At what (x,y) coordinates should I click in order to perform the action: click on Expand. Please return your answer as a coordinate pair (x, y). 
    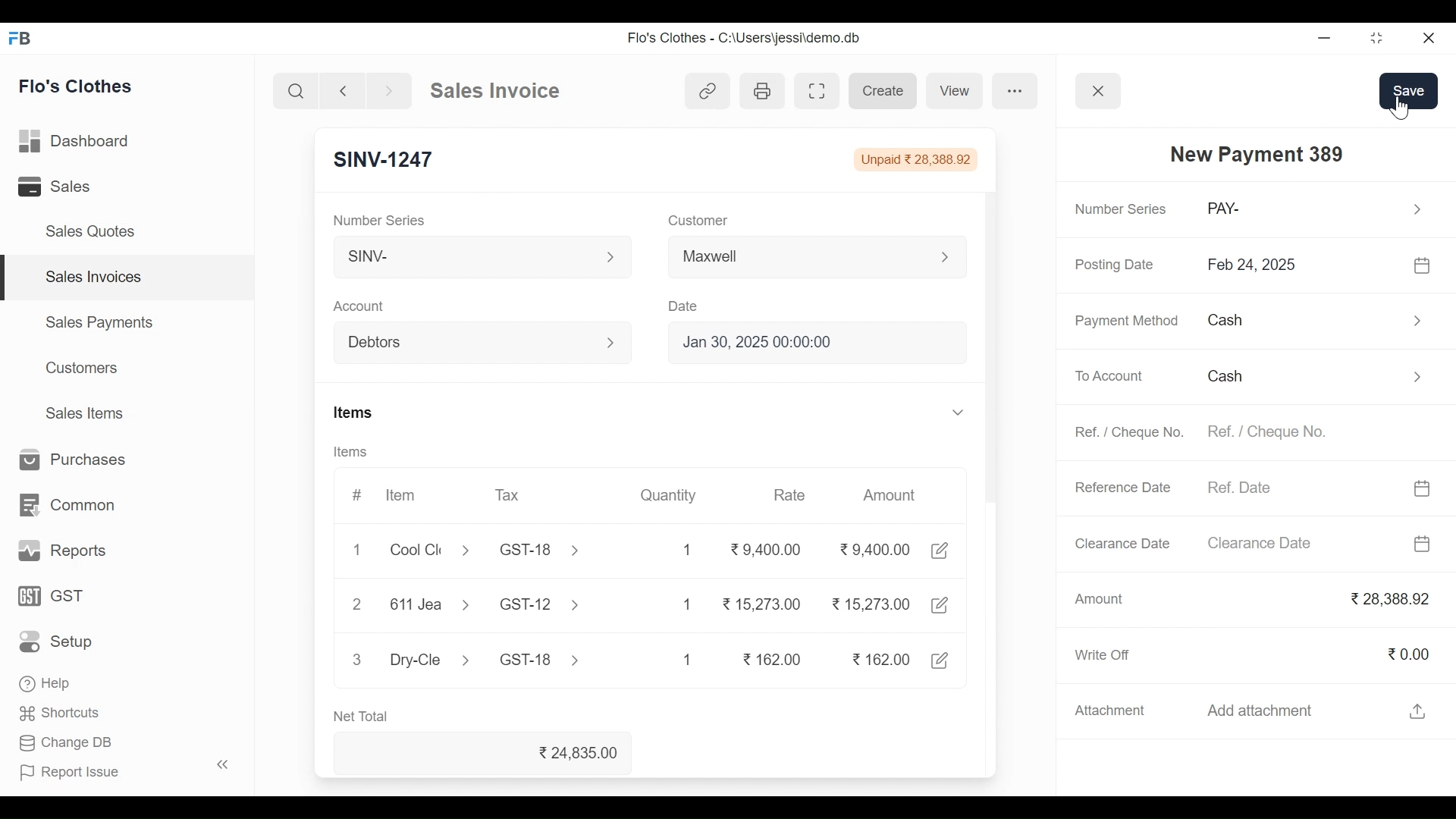
    Looking at the image, I should click on (1420, 319).